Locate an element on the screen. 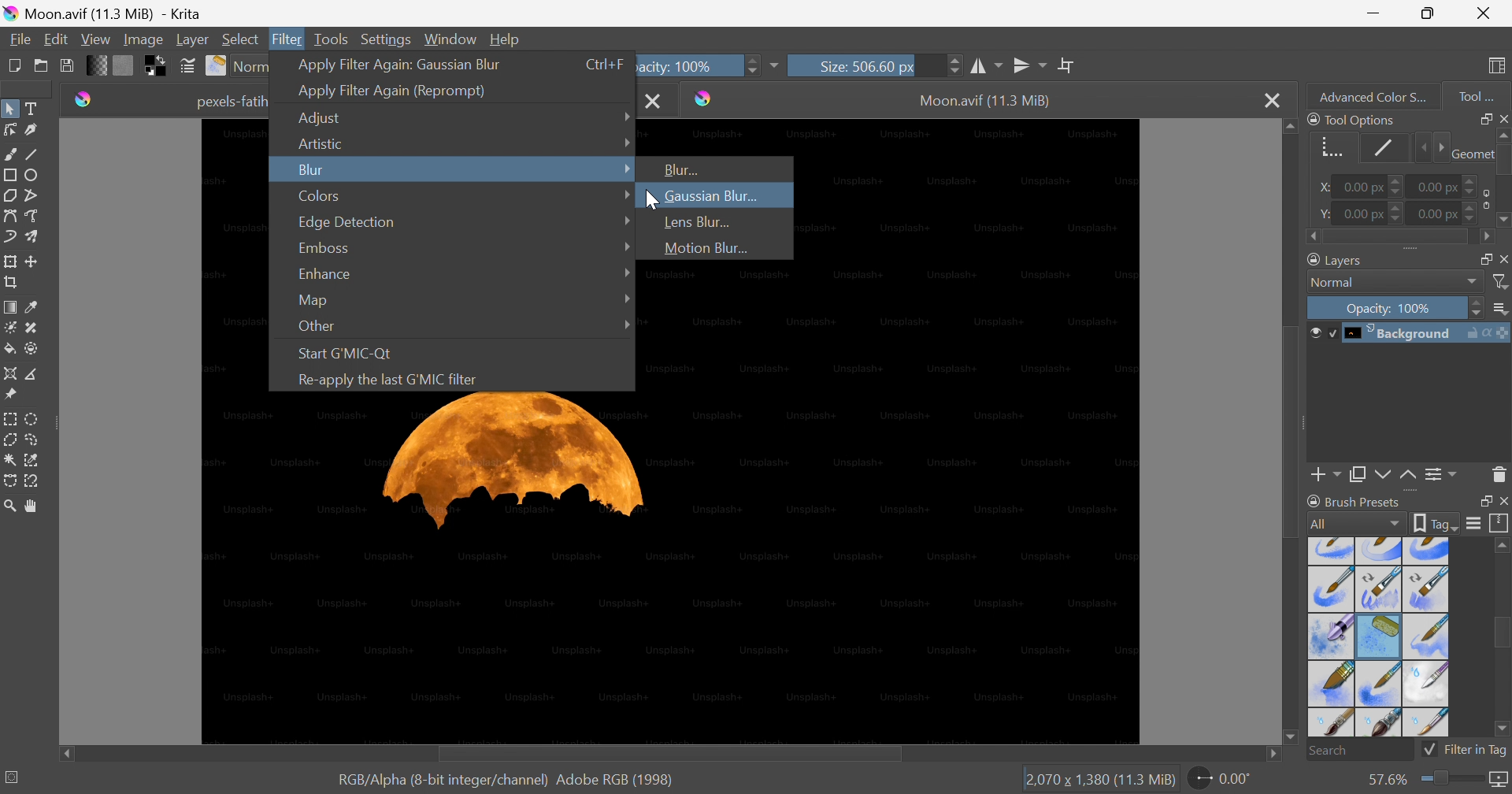  Edge Detection is located at coordinates (349, 222).